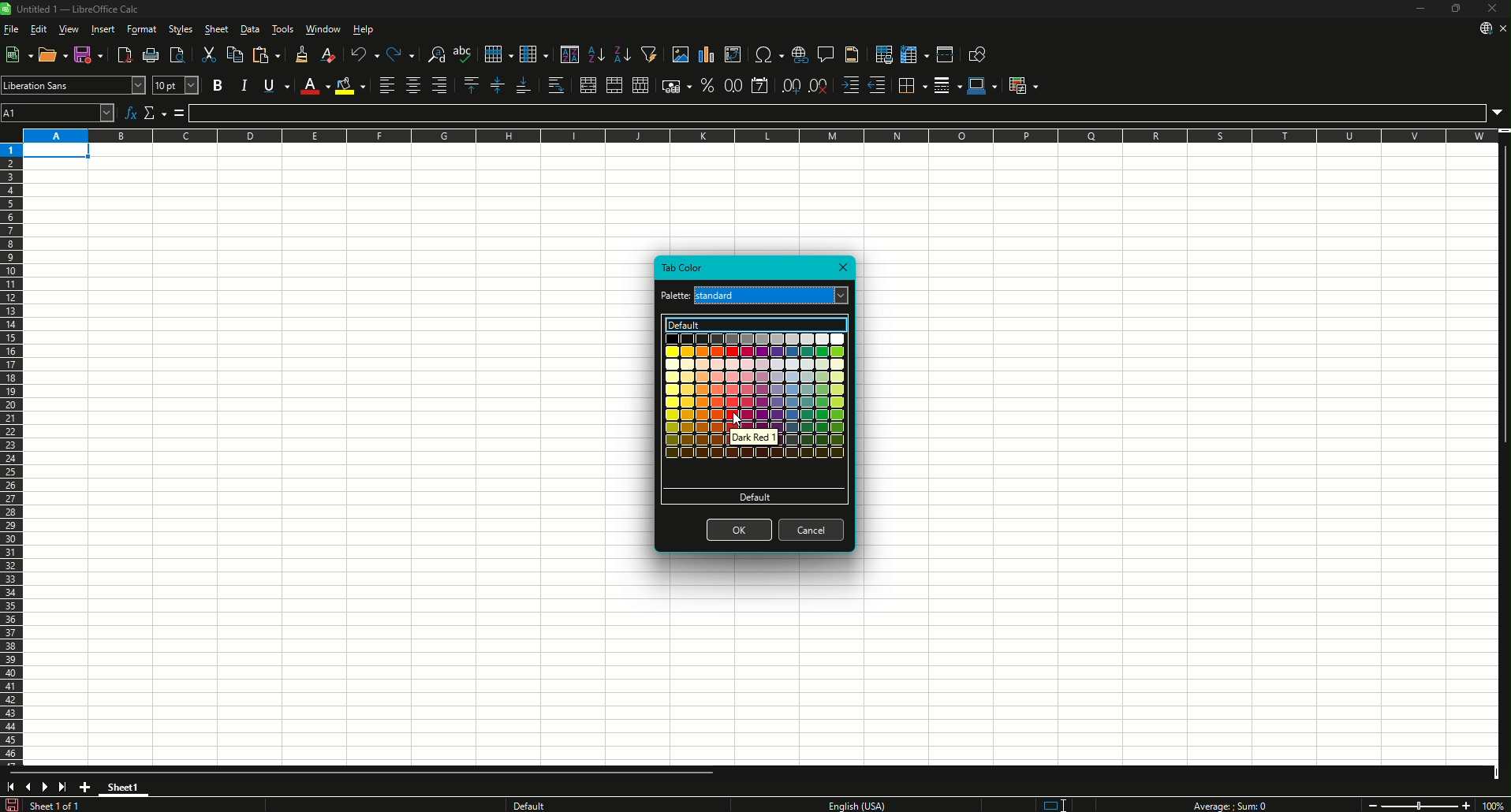 Image resolution: width=1511 pixels, height=812 pixels. I want to click on Sheet1, so click(124, 788).